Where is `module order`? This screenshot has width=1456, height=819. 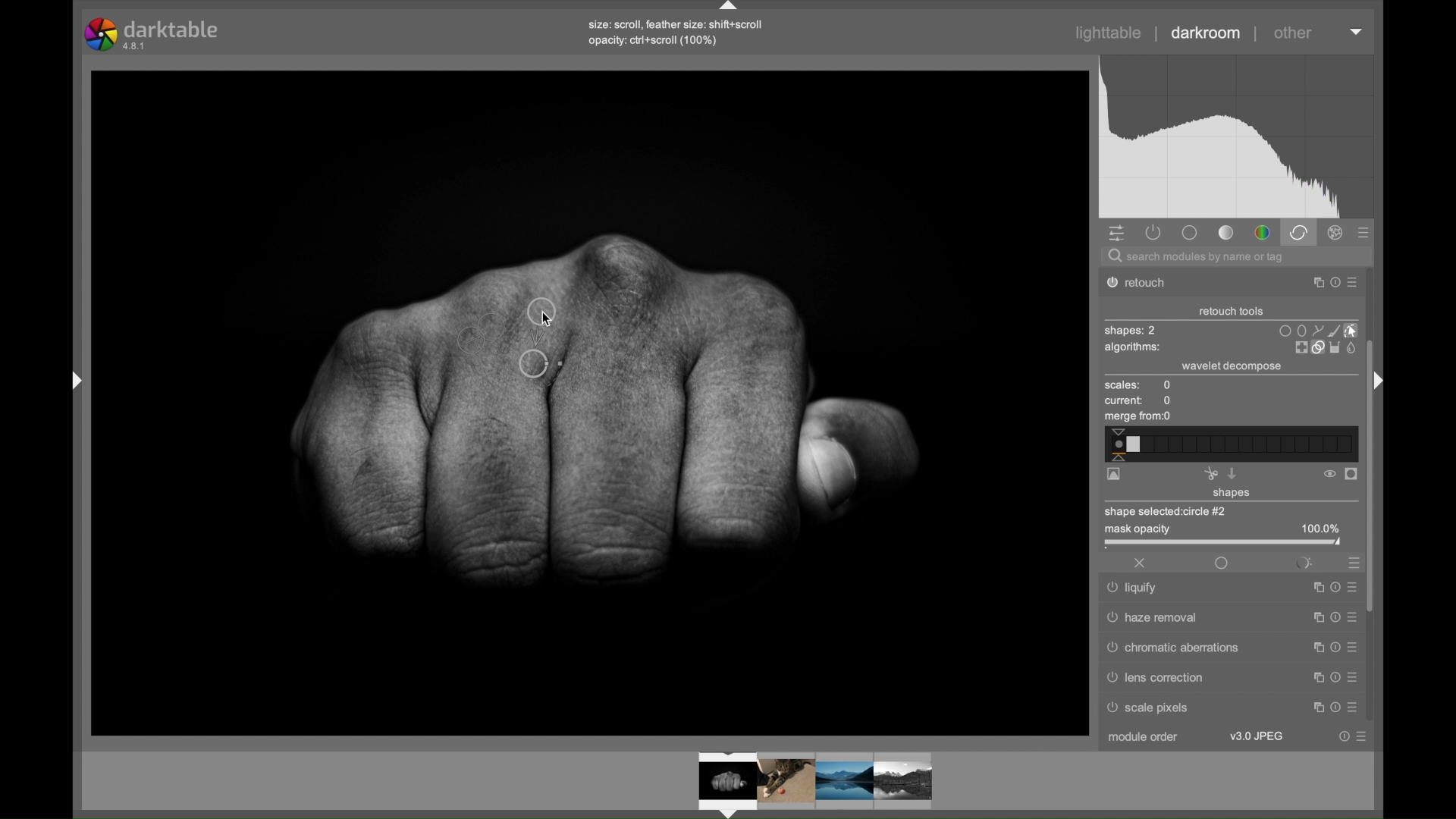 module order is located at coordinates (1144, 739).